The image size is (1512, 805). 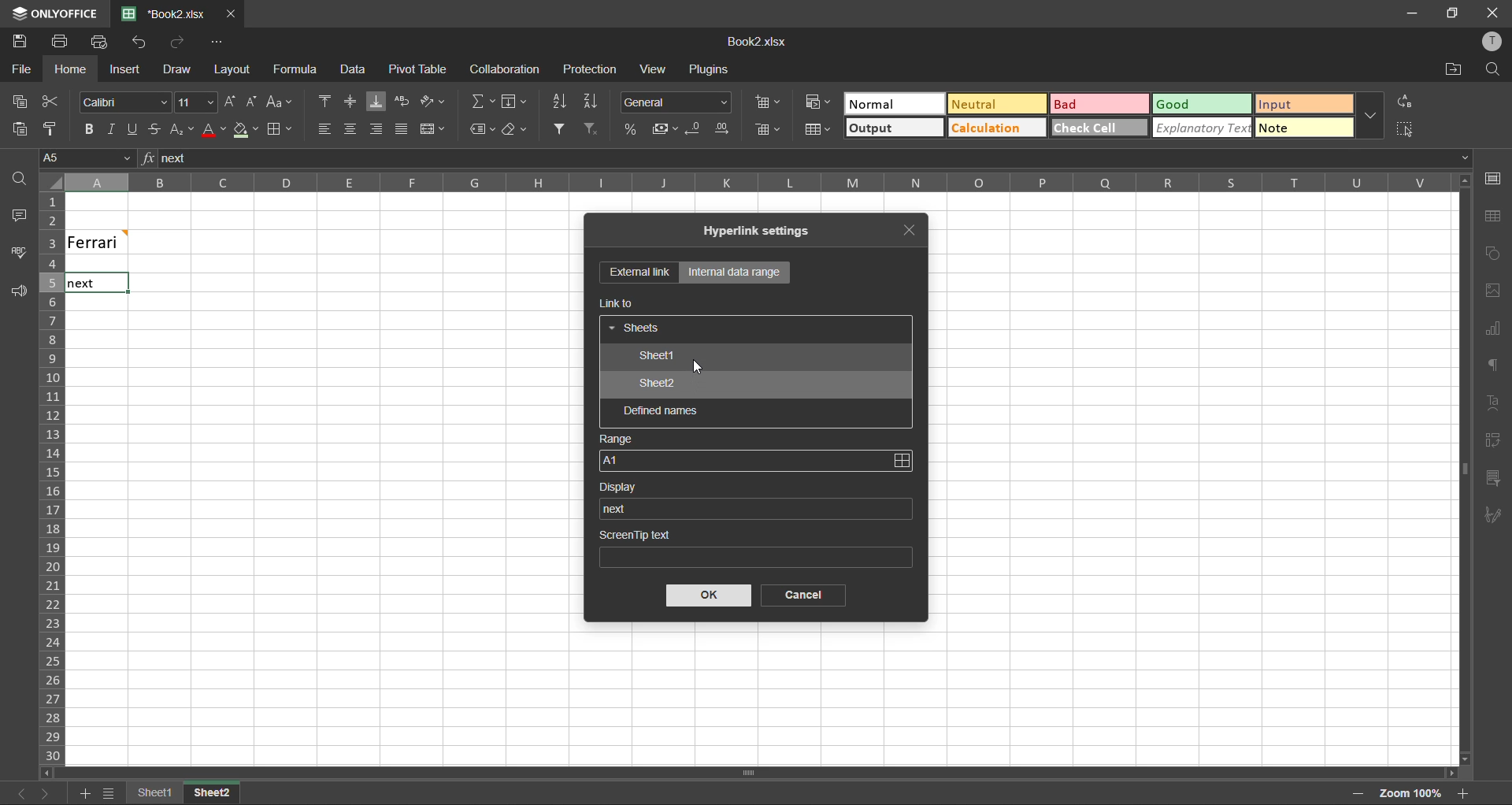 What do you see at coordinates (1450, 13) in the screenshot?
I see `maximize` at bounding box center [1450, 13].